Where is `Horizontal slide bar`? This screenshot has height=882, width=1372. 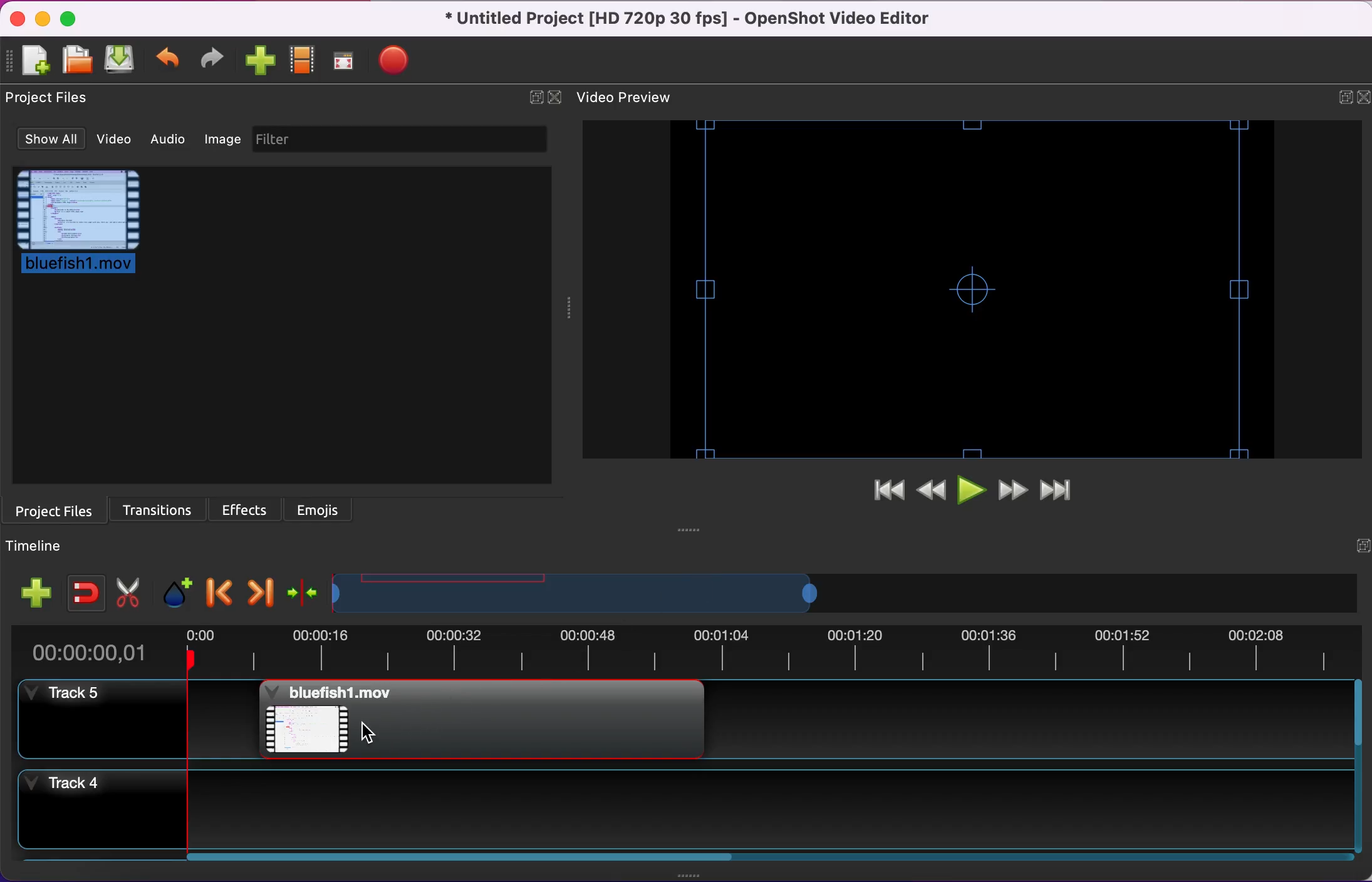 Horizontal slide bar is located at coordinates (762, 857).